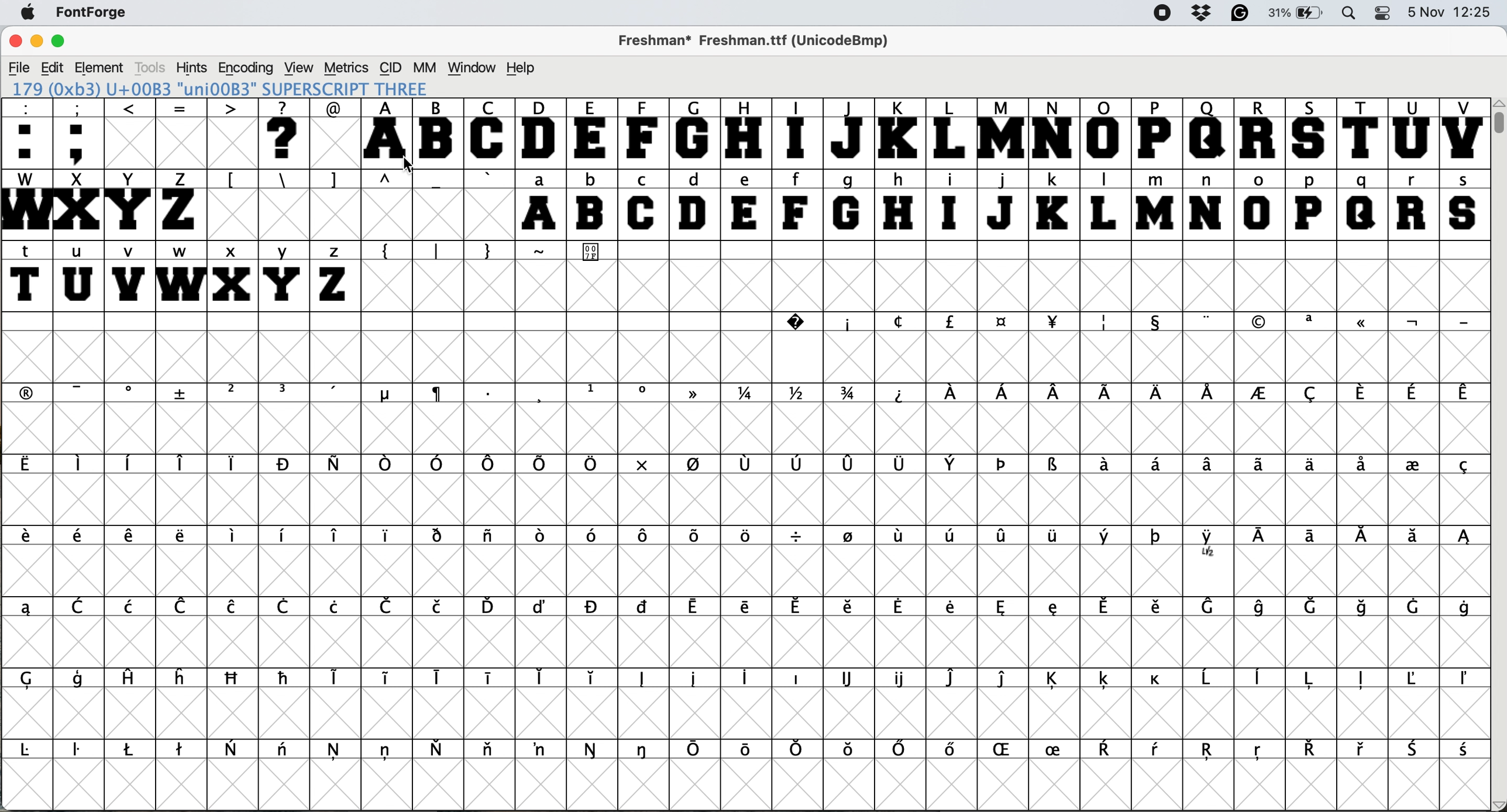 The height and width of the screenshot is (812, 1507). What do you see at coordinates (644, 534) in the screenshot?
I see `symbol` at bounding box center [644, 534].